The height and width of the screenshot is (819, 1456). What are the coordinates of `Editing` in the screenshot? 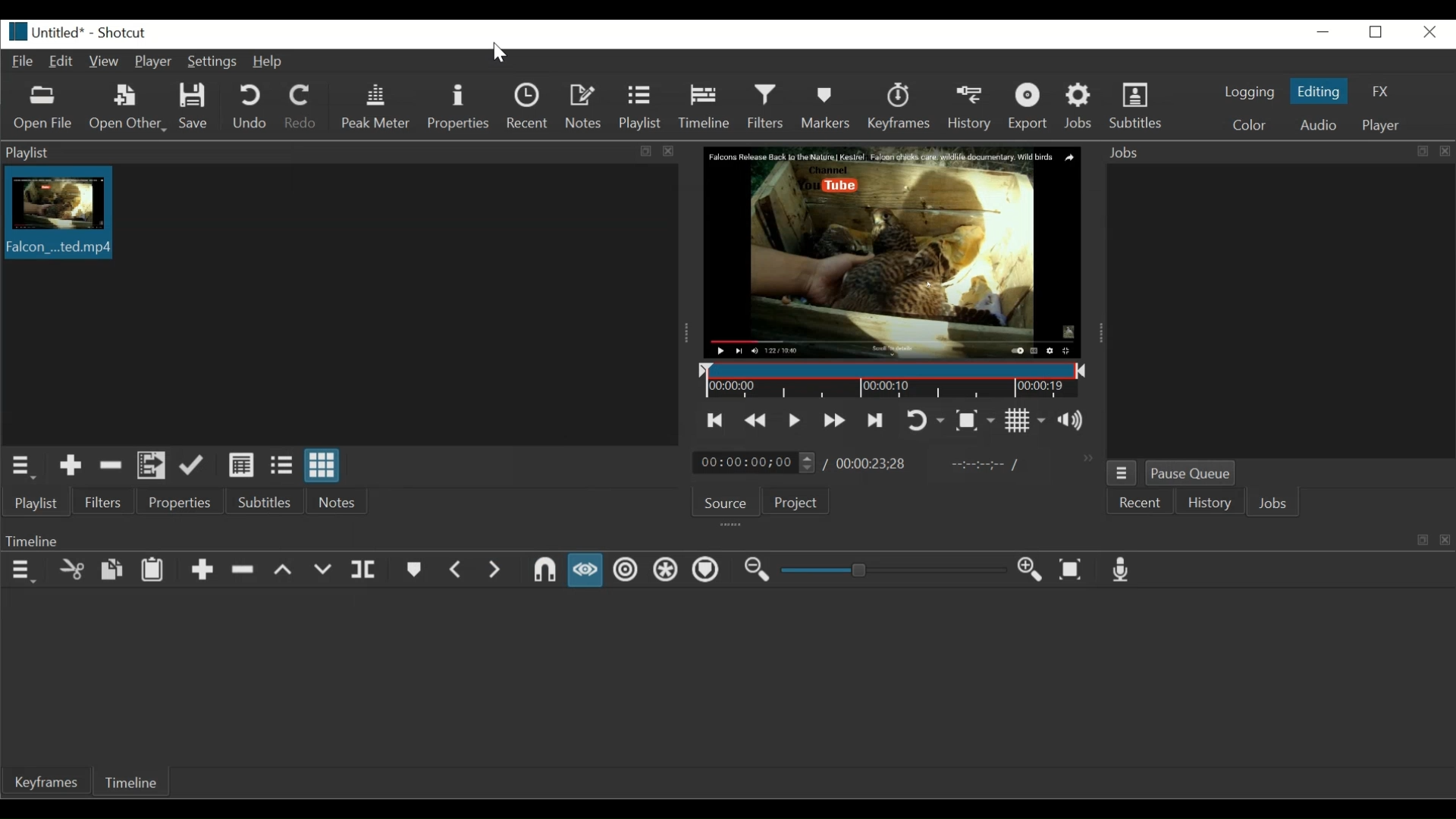 It's located at (1319, 92).